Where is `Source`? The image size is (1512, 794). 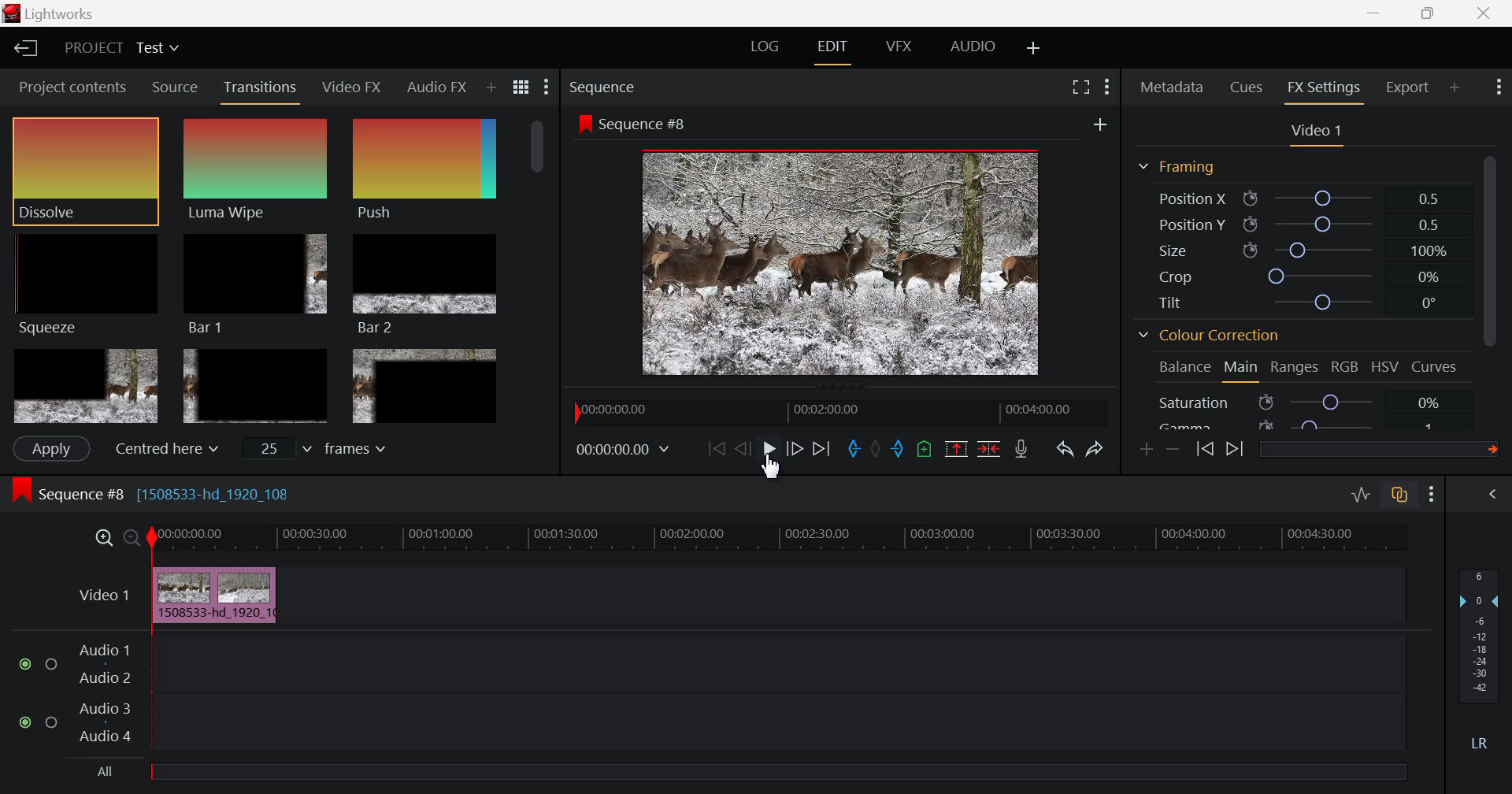 Source is located at coordinates (173, 86).